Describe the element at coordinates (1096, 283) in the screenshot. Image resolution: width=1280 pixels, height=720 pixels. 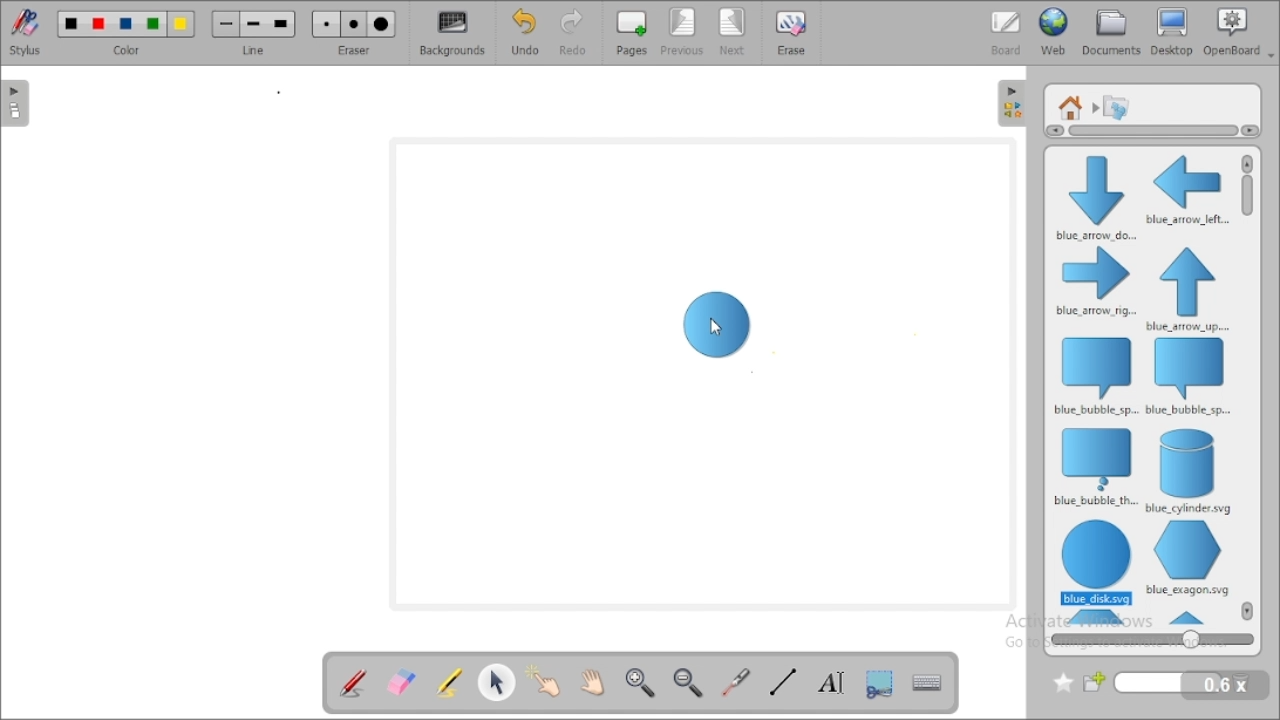
I see `blue arrow right` at that location.